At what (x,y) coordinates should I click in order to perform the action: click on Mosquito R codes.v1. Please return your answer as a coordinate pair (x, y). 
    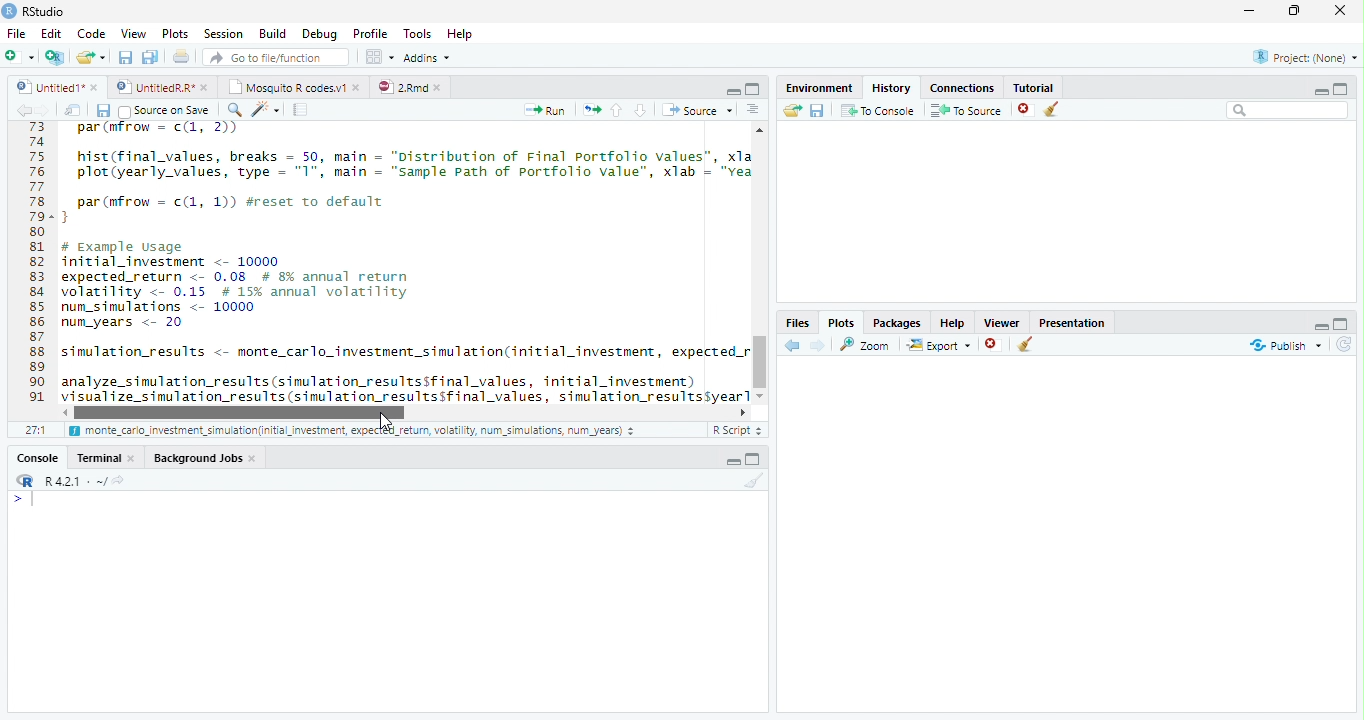
    Looking at the image, I should click on (292, 86).